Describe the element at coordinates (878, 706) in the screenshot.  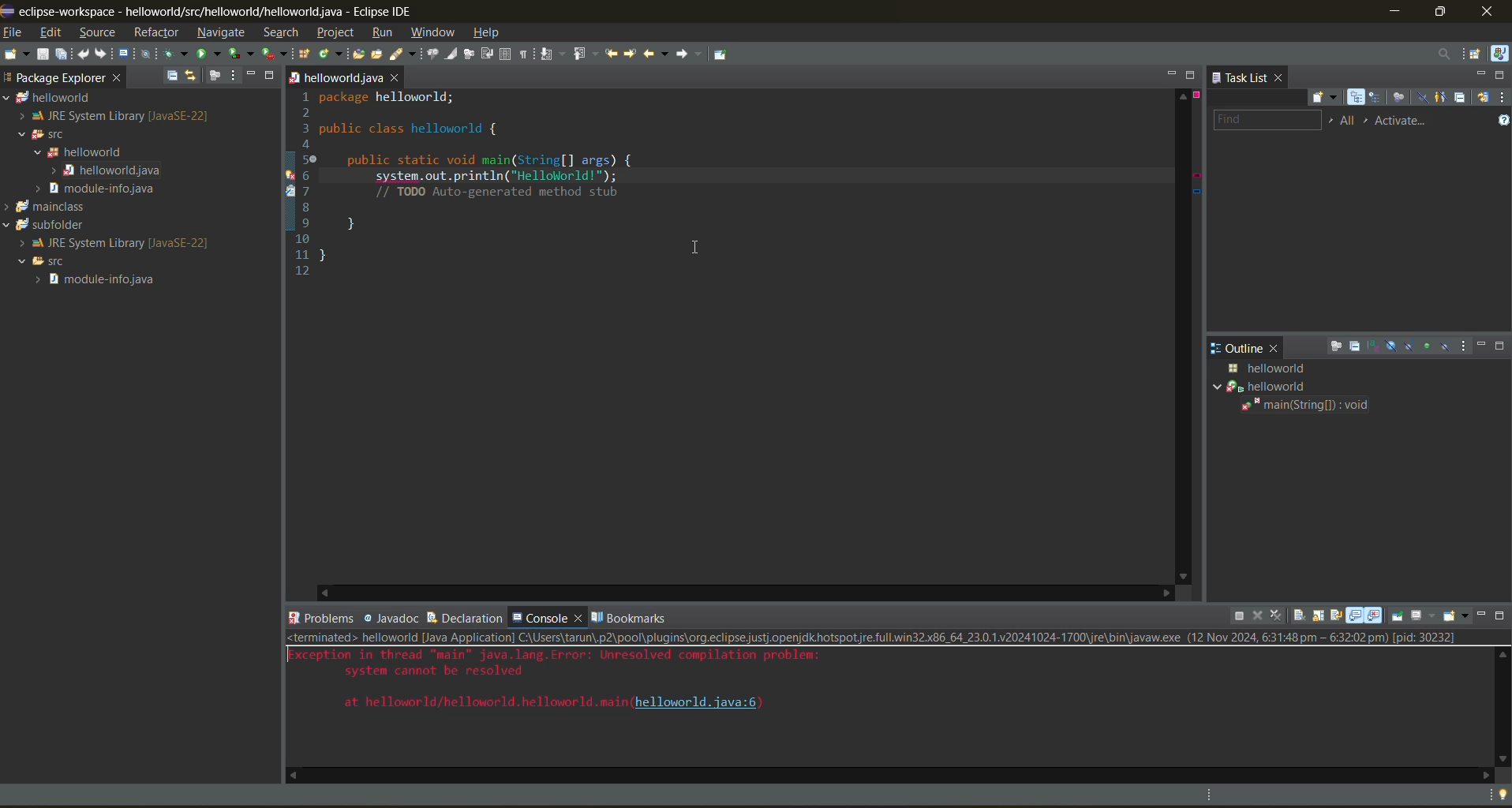
I see `code- <terminated> helloworld [Java Application] C:\Users\tarun\.p2\pool\plugins\org.eclipse,justj.openjdk.hotspot,re.full.win32.x86_64_23.0.1.v20241024-1700\jre\bin\javaw.exe (12 Nov 2024, 6:31:48pm — 6:32:02 pm) [pid: 30232]Xception in thread "main" java.lang.Error: Unresolved compilation problem:system cannot be resolvedat helloworld/helloworld.hellowor1d. main (helloworld. java:6)` at that location.